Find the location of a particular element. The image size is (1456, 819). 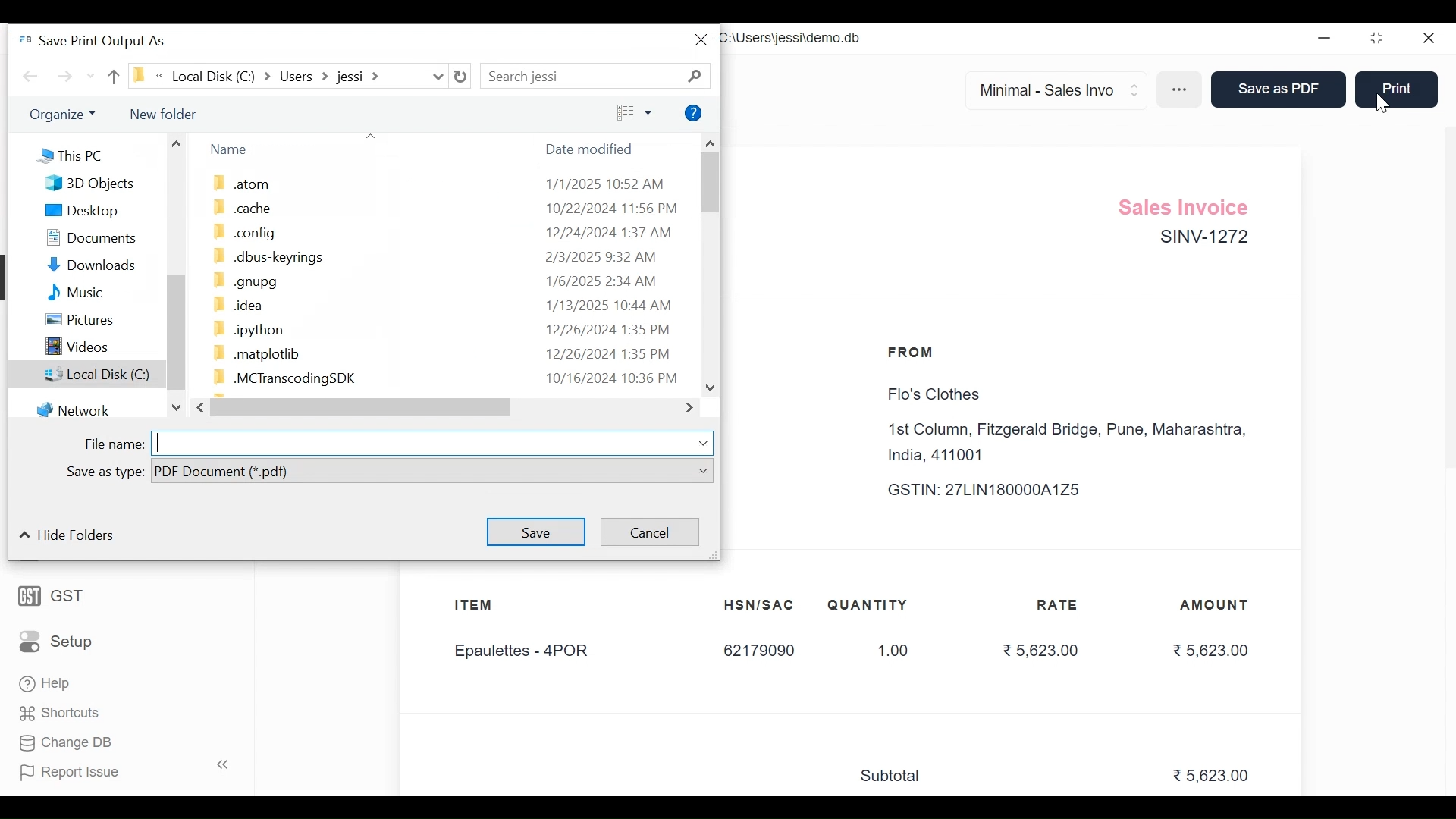

Horizontal Scroll bar is located at coordinates (362, 408).